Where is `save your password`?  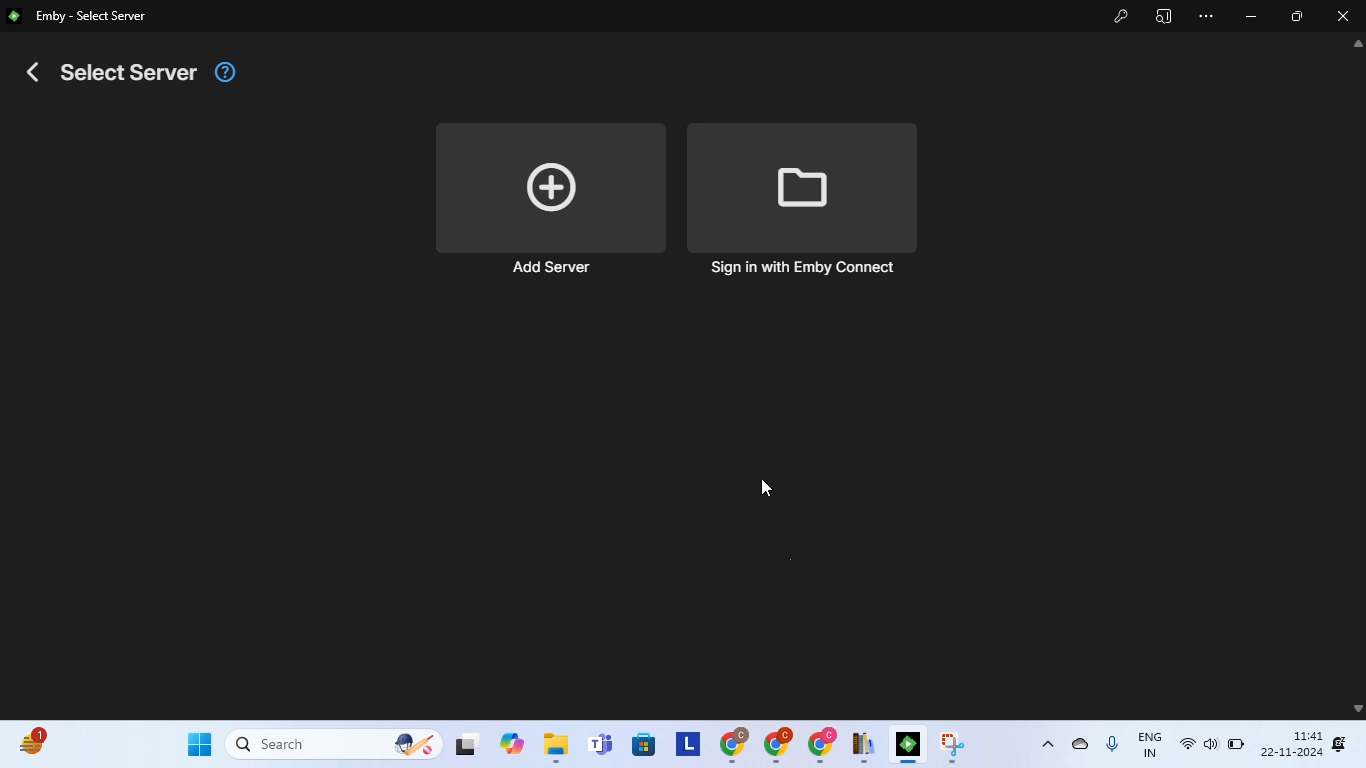
save your password is located at coordinates (1122, 15).